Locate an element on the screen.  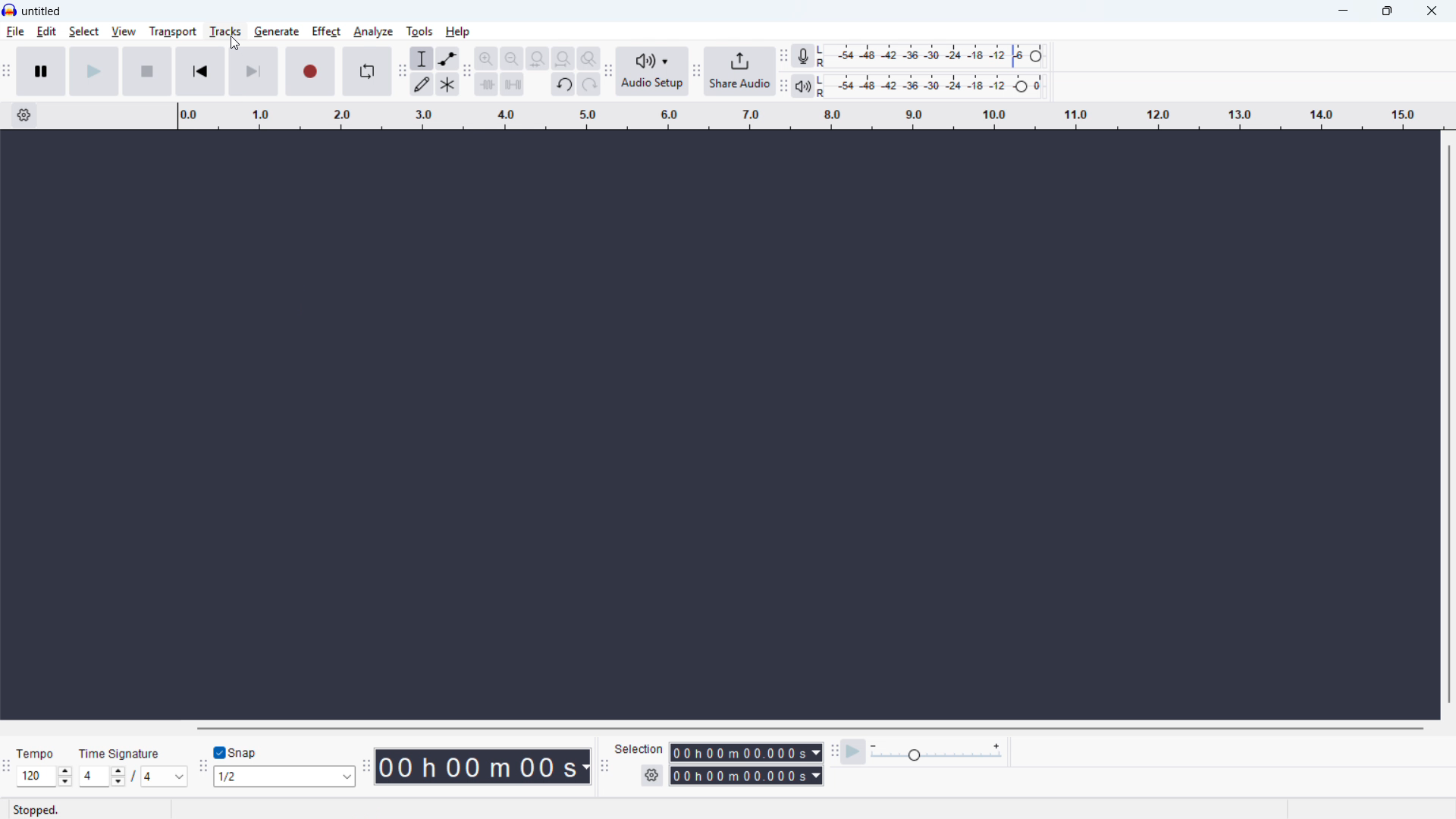
Time toolbar  is located at coordinates (366, 767).